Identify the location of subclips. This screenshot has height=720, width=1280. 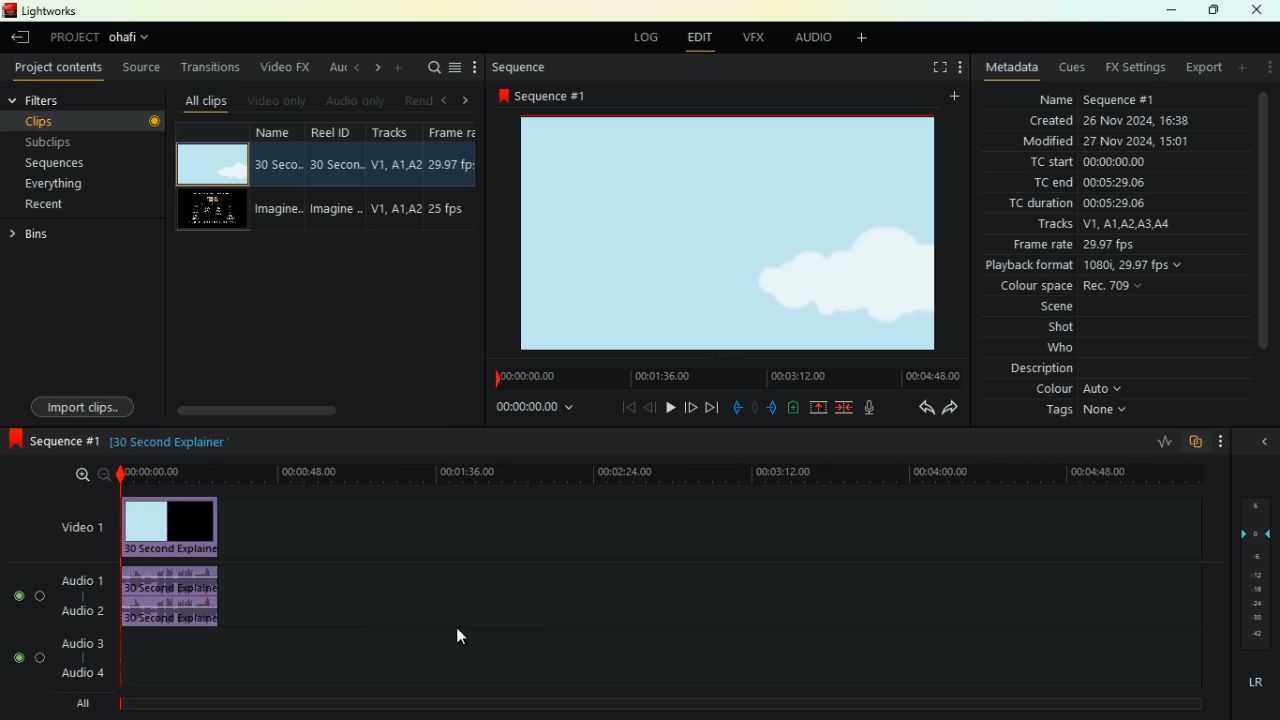
(64, 142).